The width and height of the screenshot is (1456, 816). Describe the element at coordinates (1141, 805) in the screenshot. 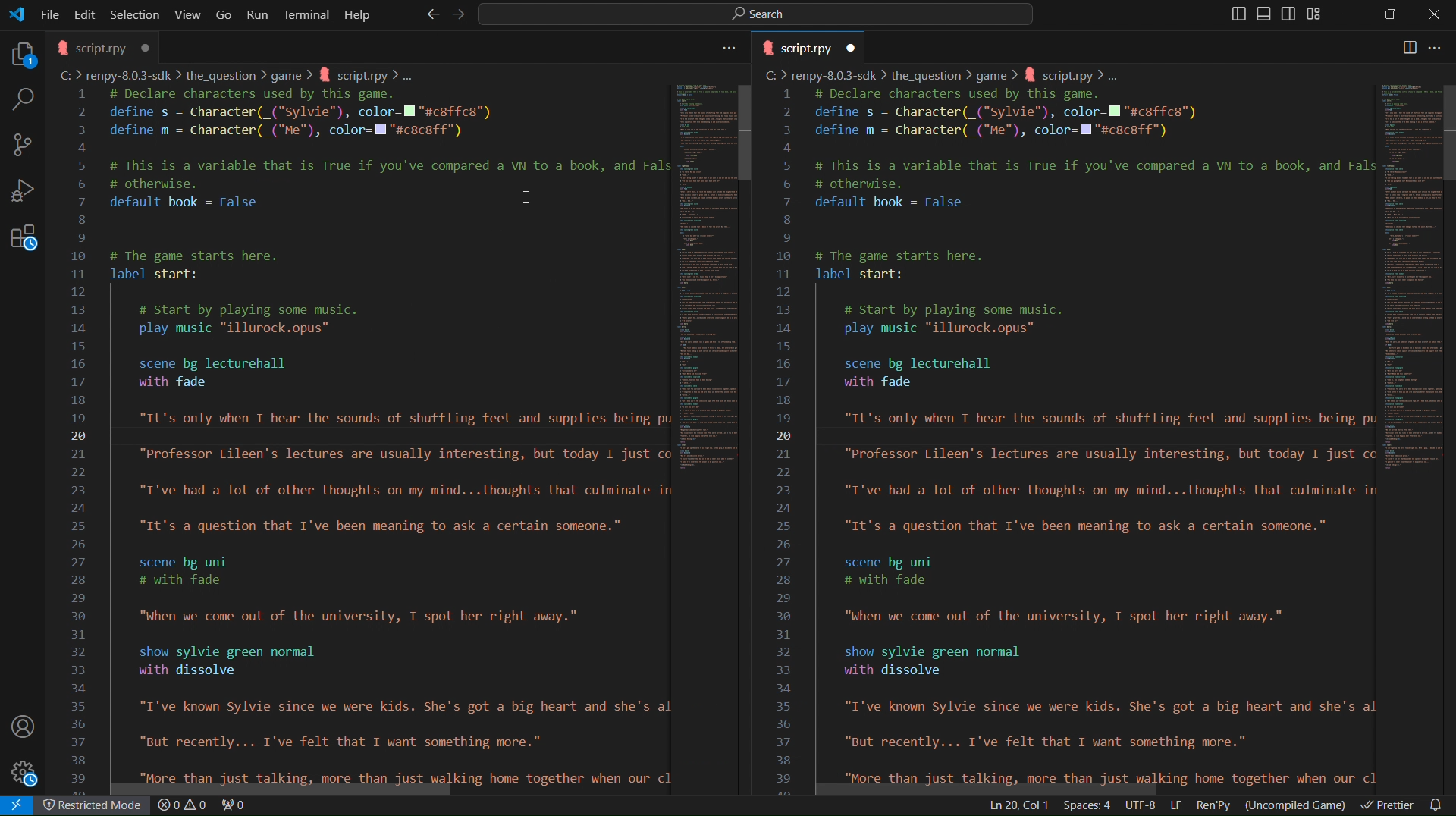

I see `UTF-8` at that location.